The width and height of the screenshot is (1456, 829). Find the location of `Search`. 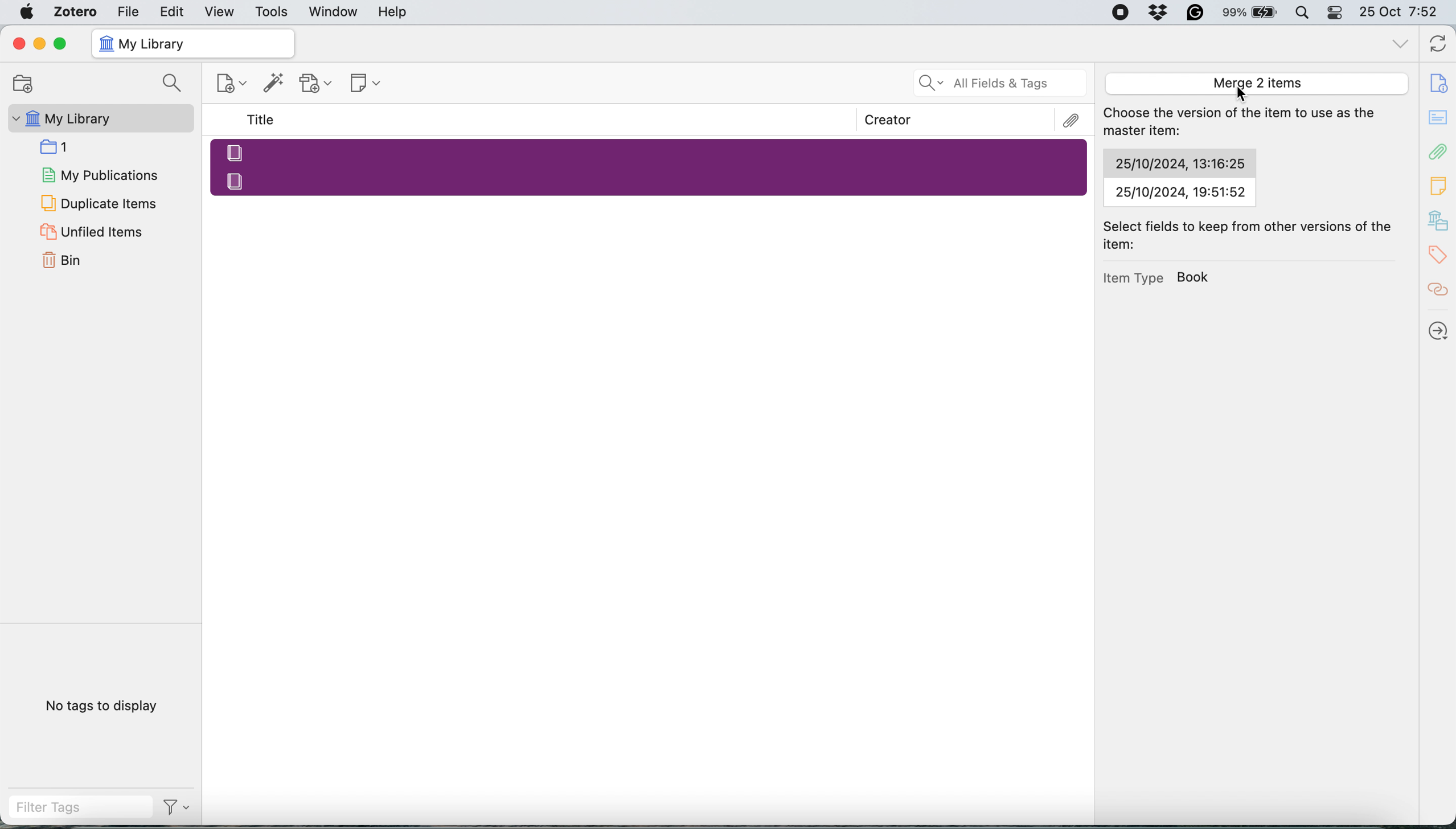

Search is located at coordinates (175, 84).